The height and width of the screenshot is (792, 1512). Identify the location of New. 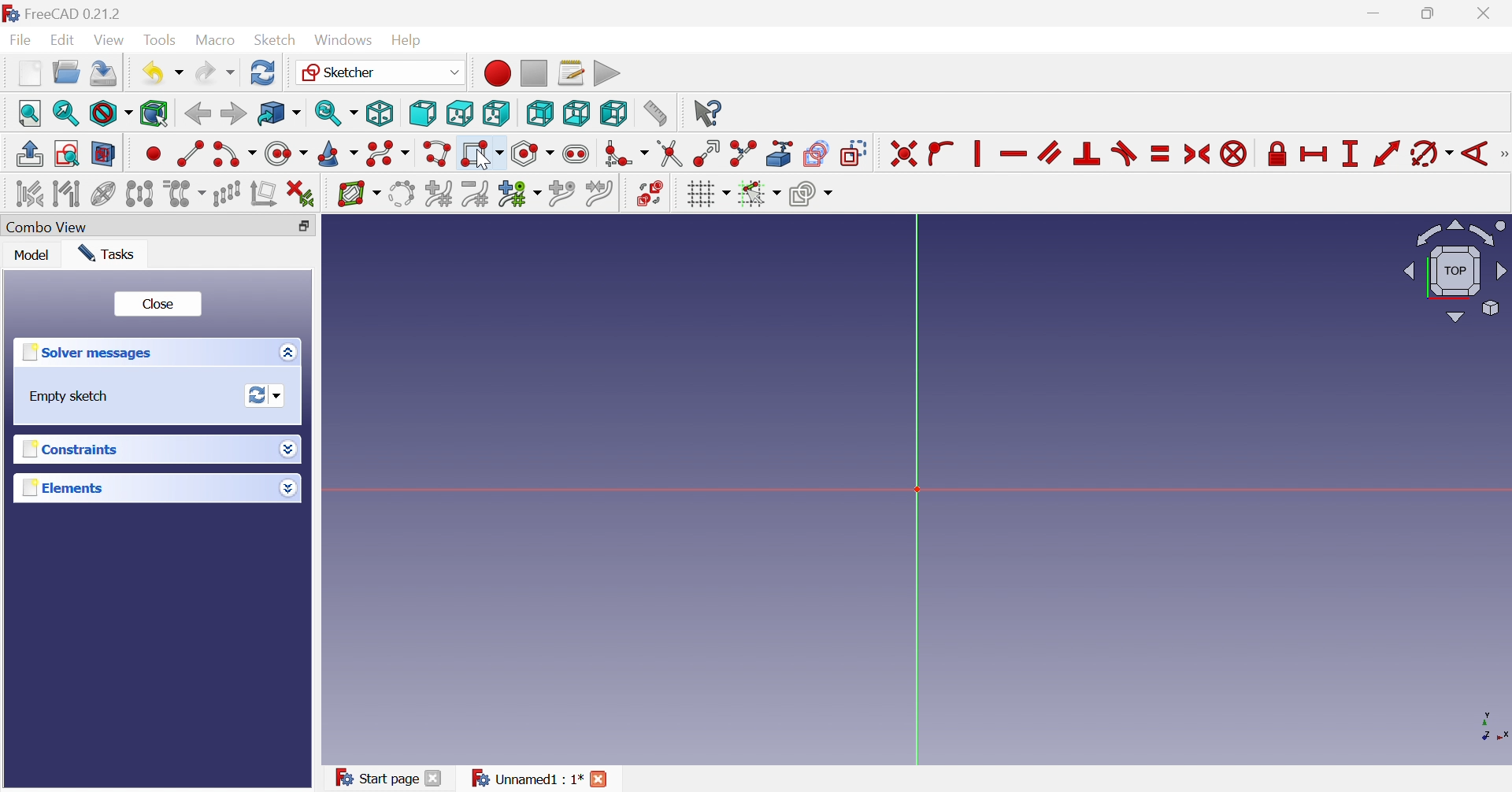
(29, 73).